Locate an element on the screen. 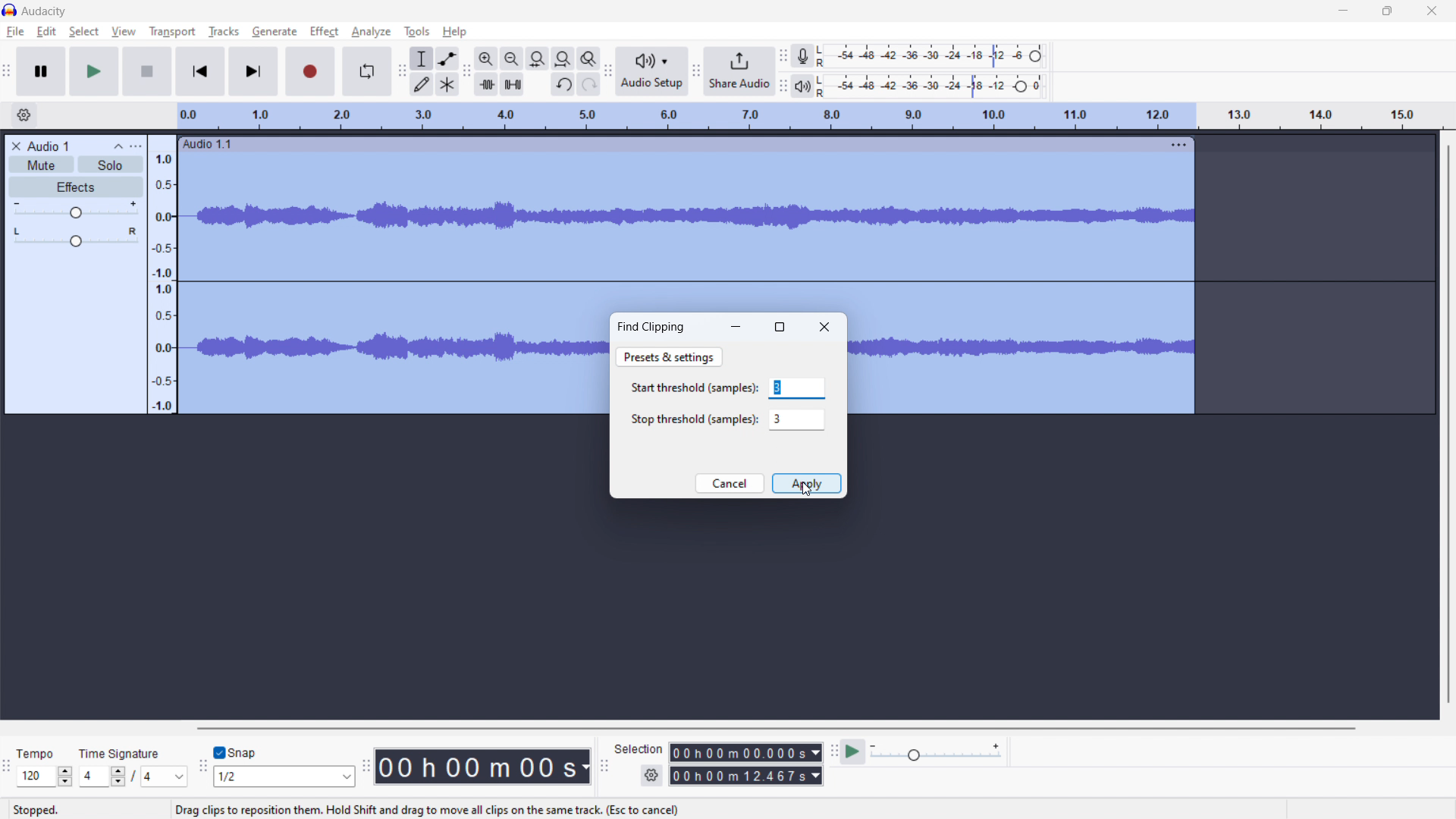 The image size is (1456, 819). recording meter toolbar is located at coordinates (782, 58).